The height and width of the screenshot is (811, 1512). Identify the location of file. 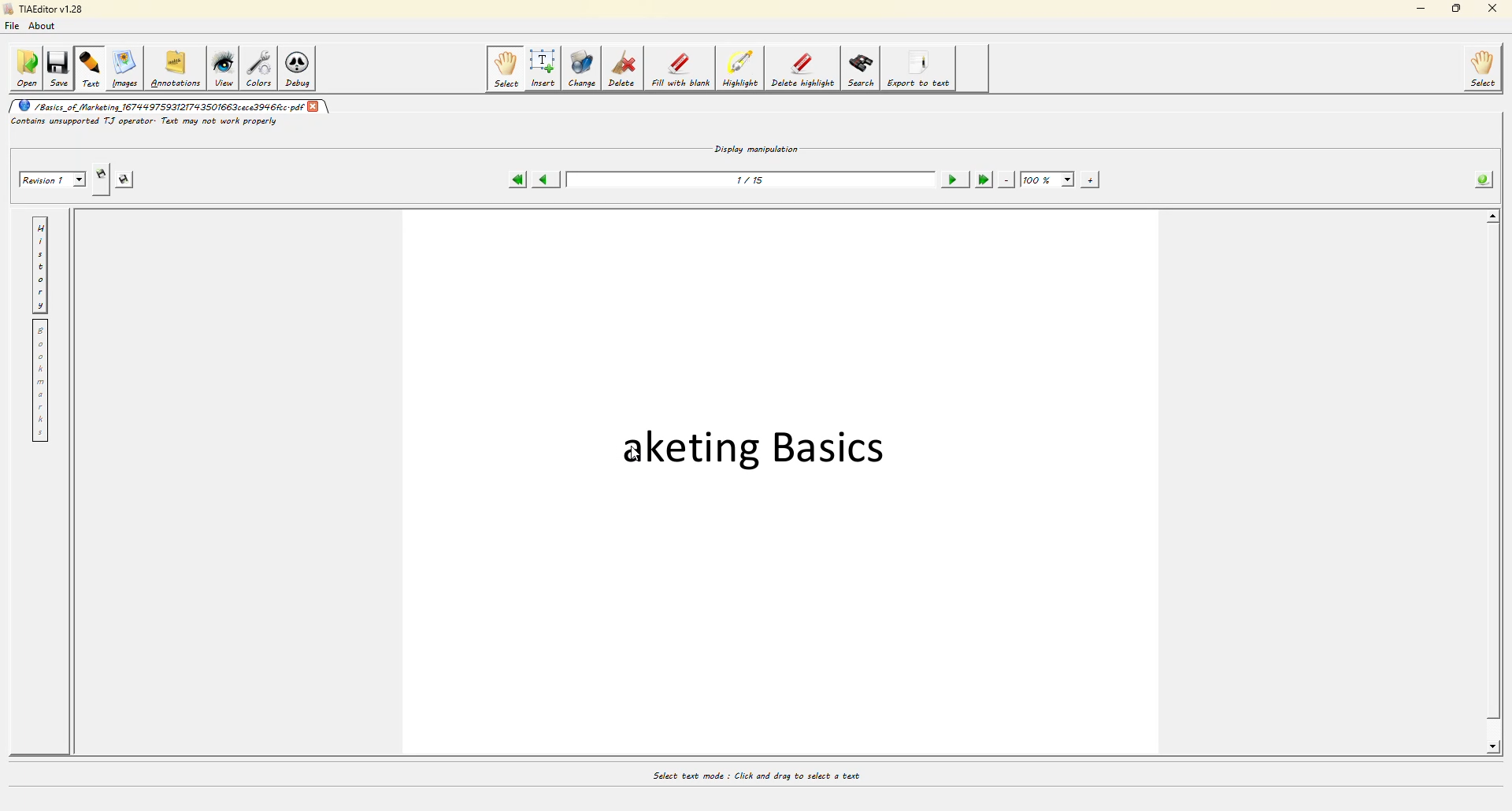
(13, 28).